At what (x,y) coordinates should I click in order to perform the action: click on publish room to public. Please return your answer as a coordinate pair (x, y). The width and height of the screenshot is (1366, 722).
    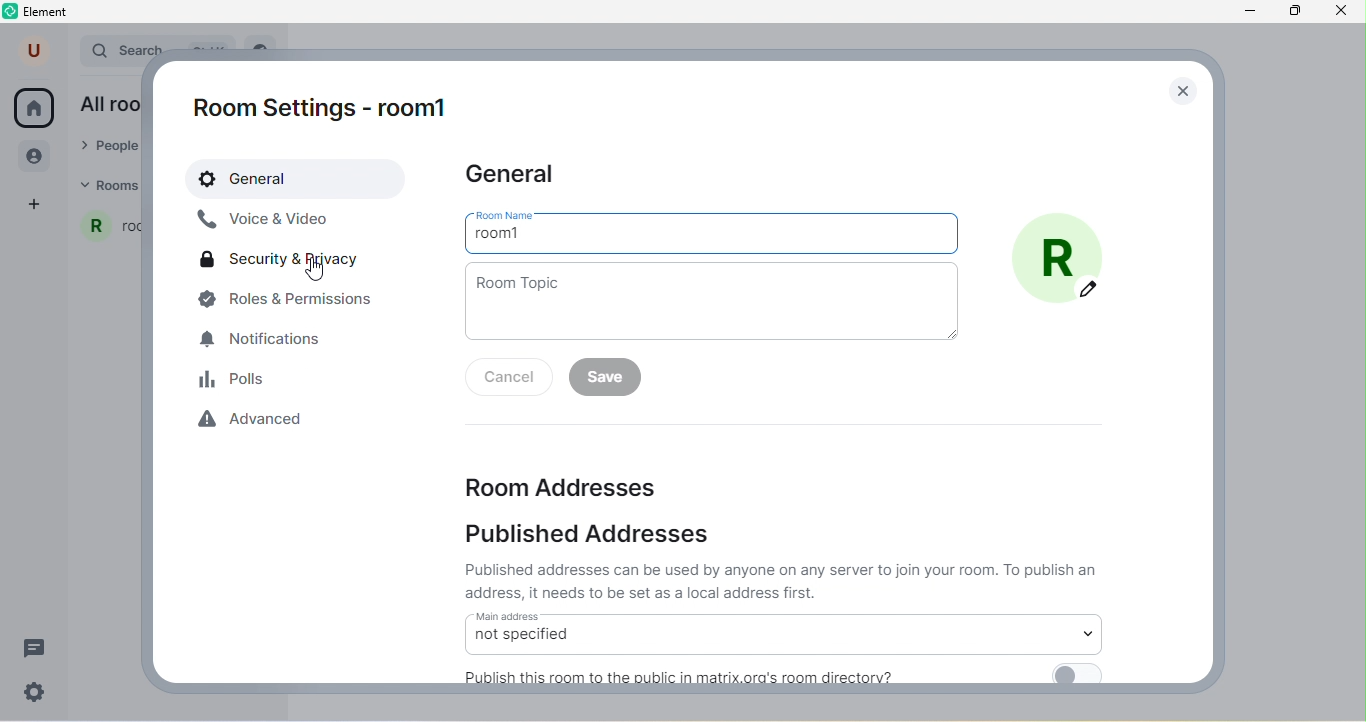
    Looking at the image, I should click on (803, 674).